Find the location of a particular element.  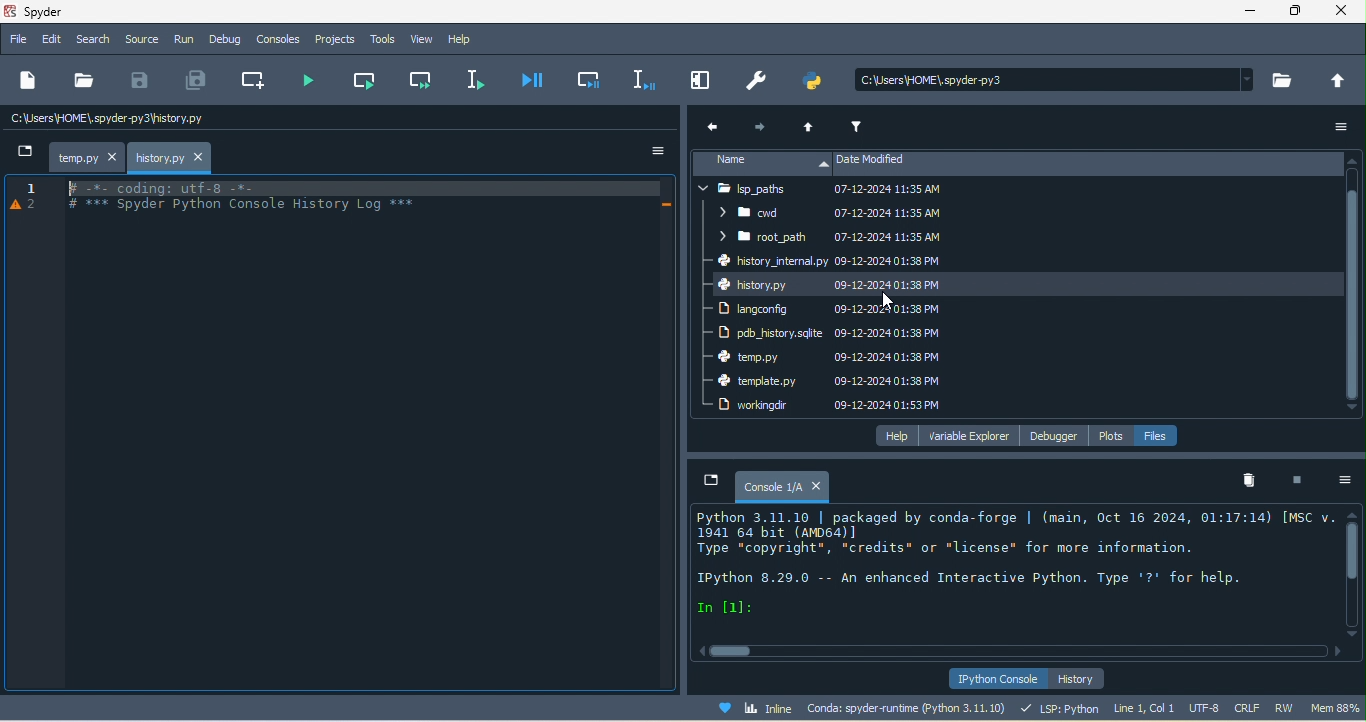

plots is located at coordinates (1114, 437).